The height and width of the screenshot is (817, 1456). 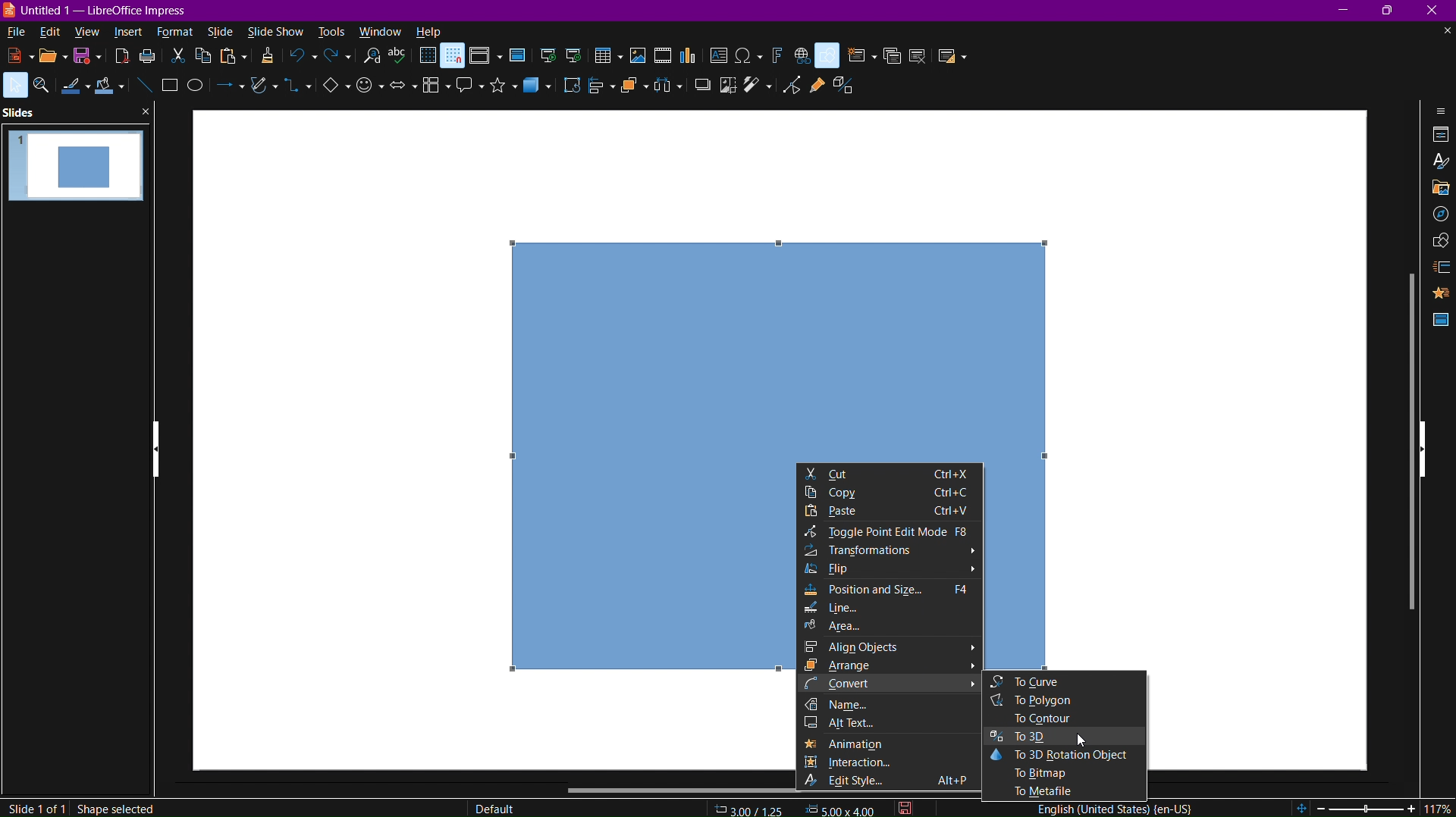 What do you see at coordinates (1345, 11) in the screenshot?
I see `Minimize` at bounding box center [1345, 11].